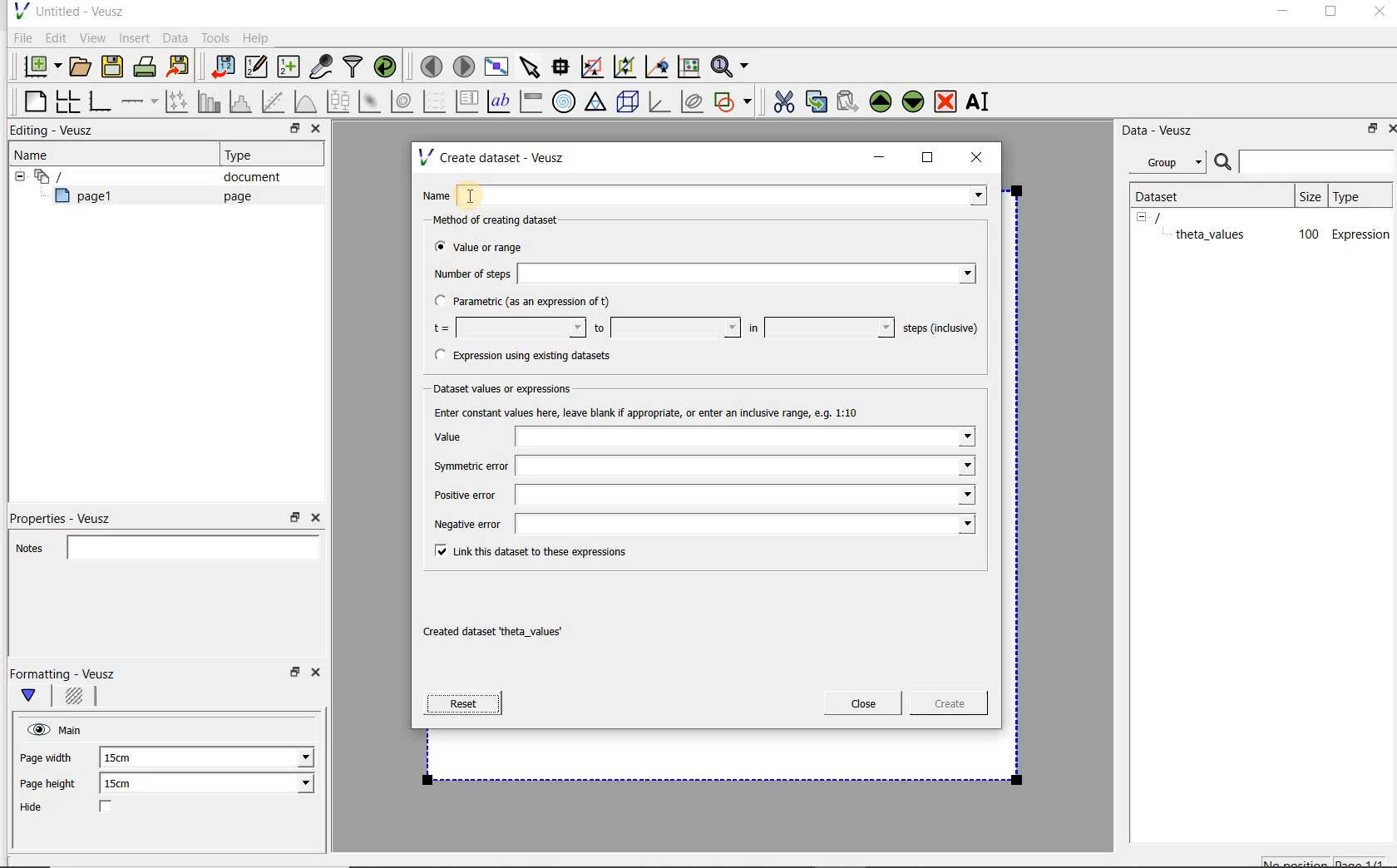  Describe the element at coordinates (116, 67) in the screenshot. I see `save the document` at that location.